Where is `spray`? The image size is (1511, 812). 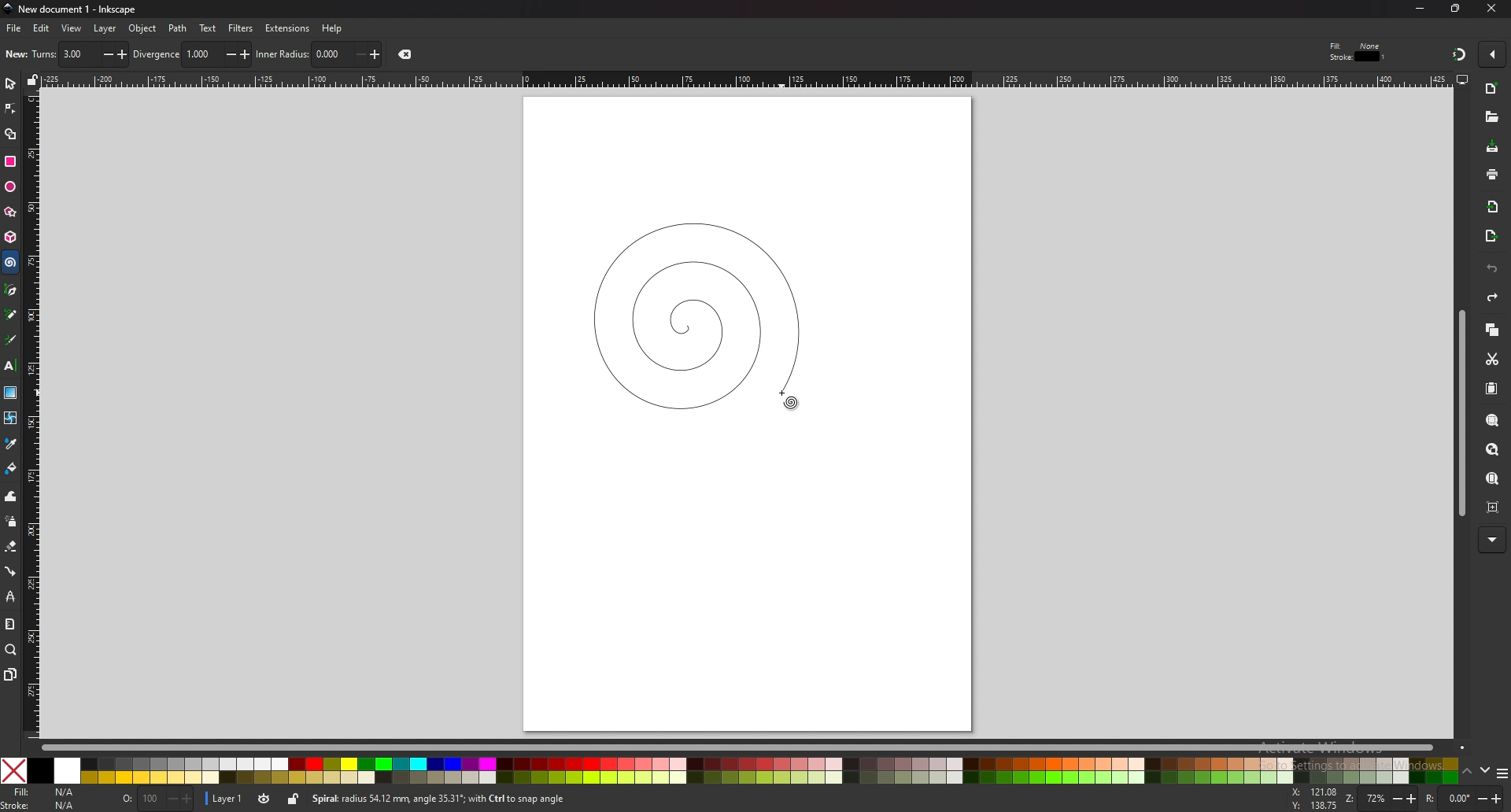
spray is located at coordinates (11, 522).